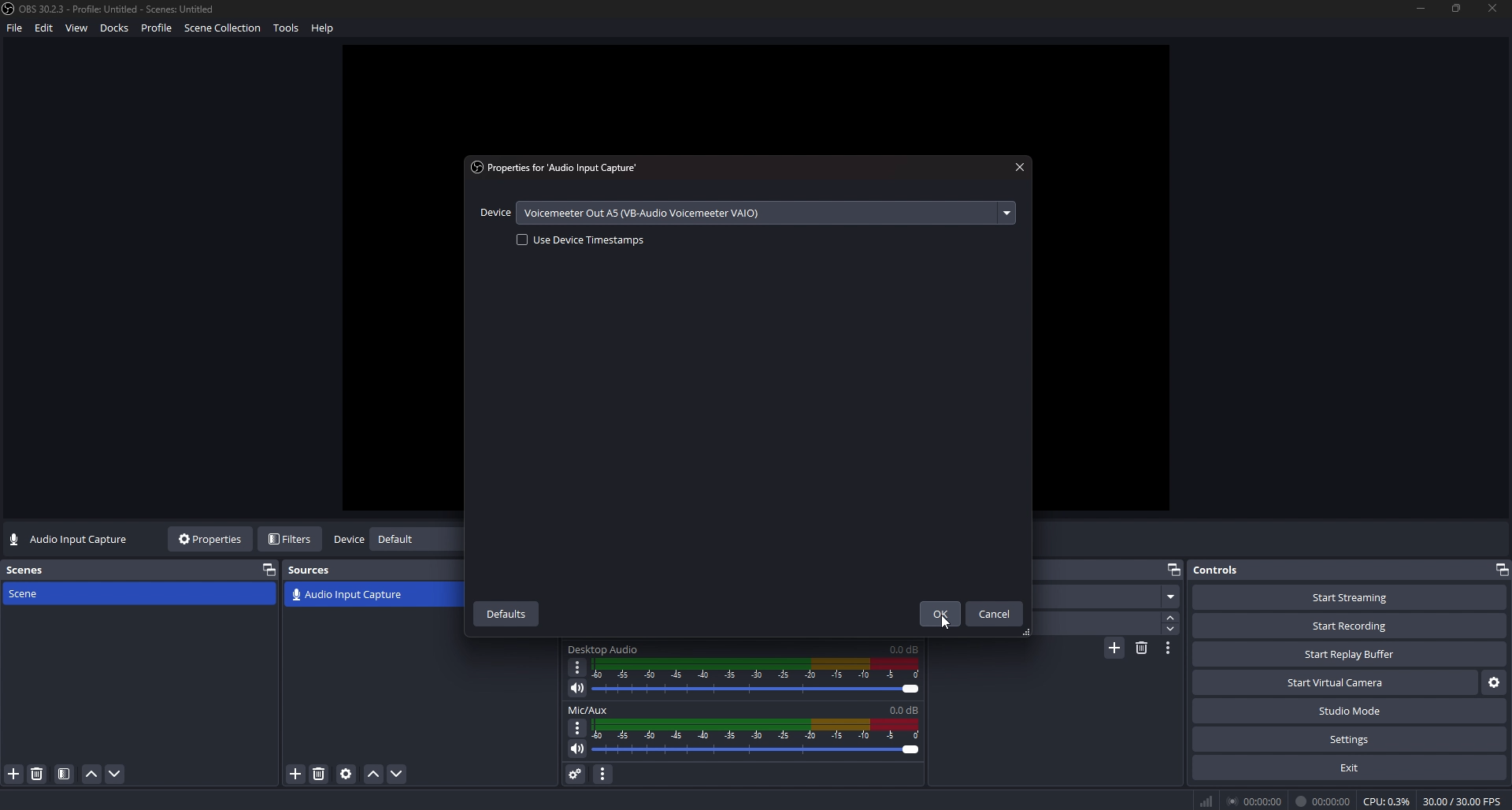  Describe the element at coordinates (347, 596) in the screenshot. I see `scene transitions` at that location.